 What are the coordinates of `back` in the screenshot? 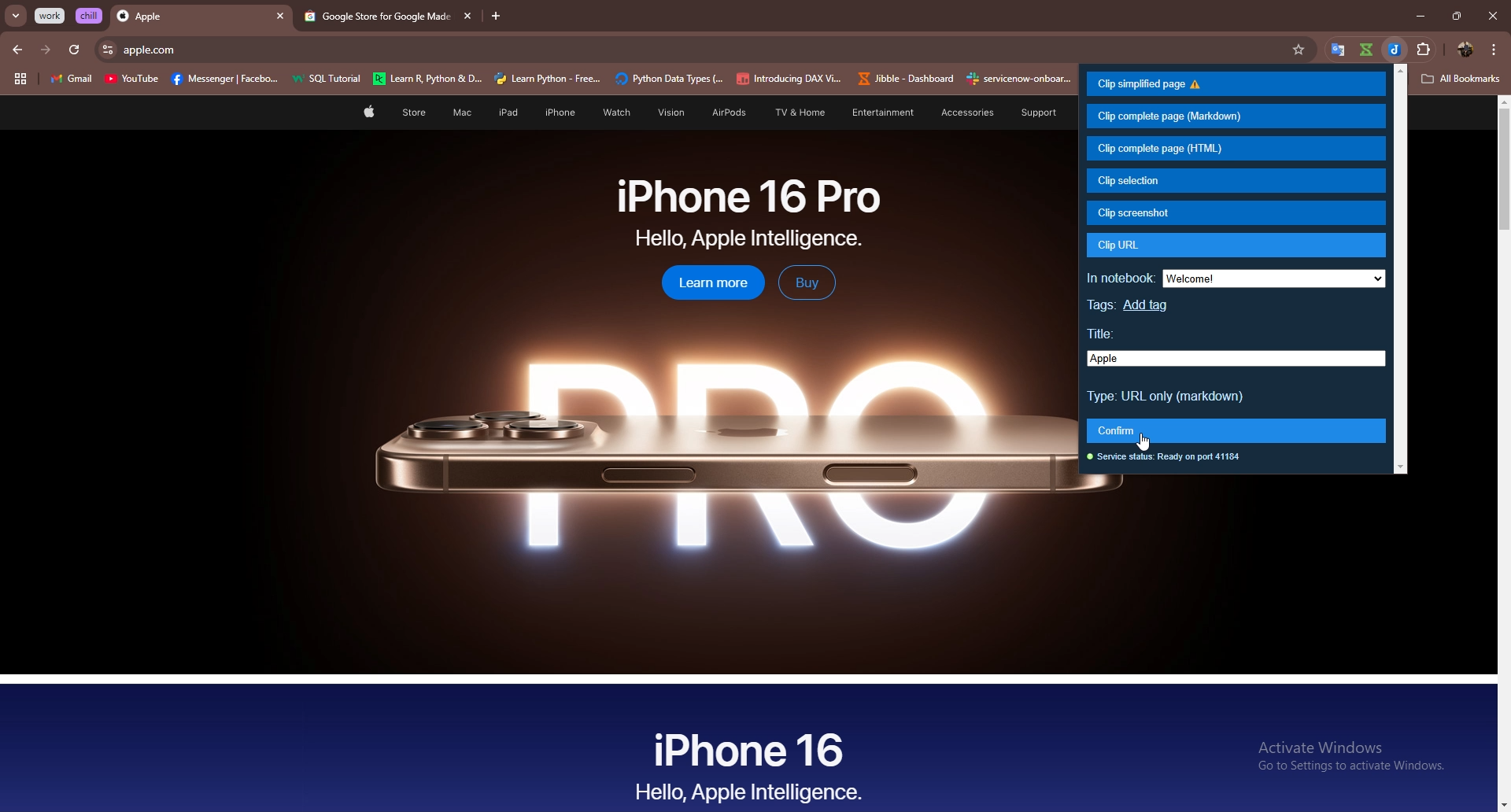 It's located at (19, 50).